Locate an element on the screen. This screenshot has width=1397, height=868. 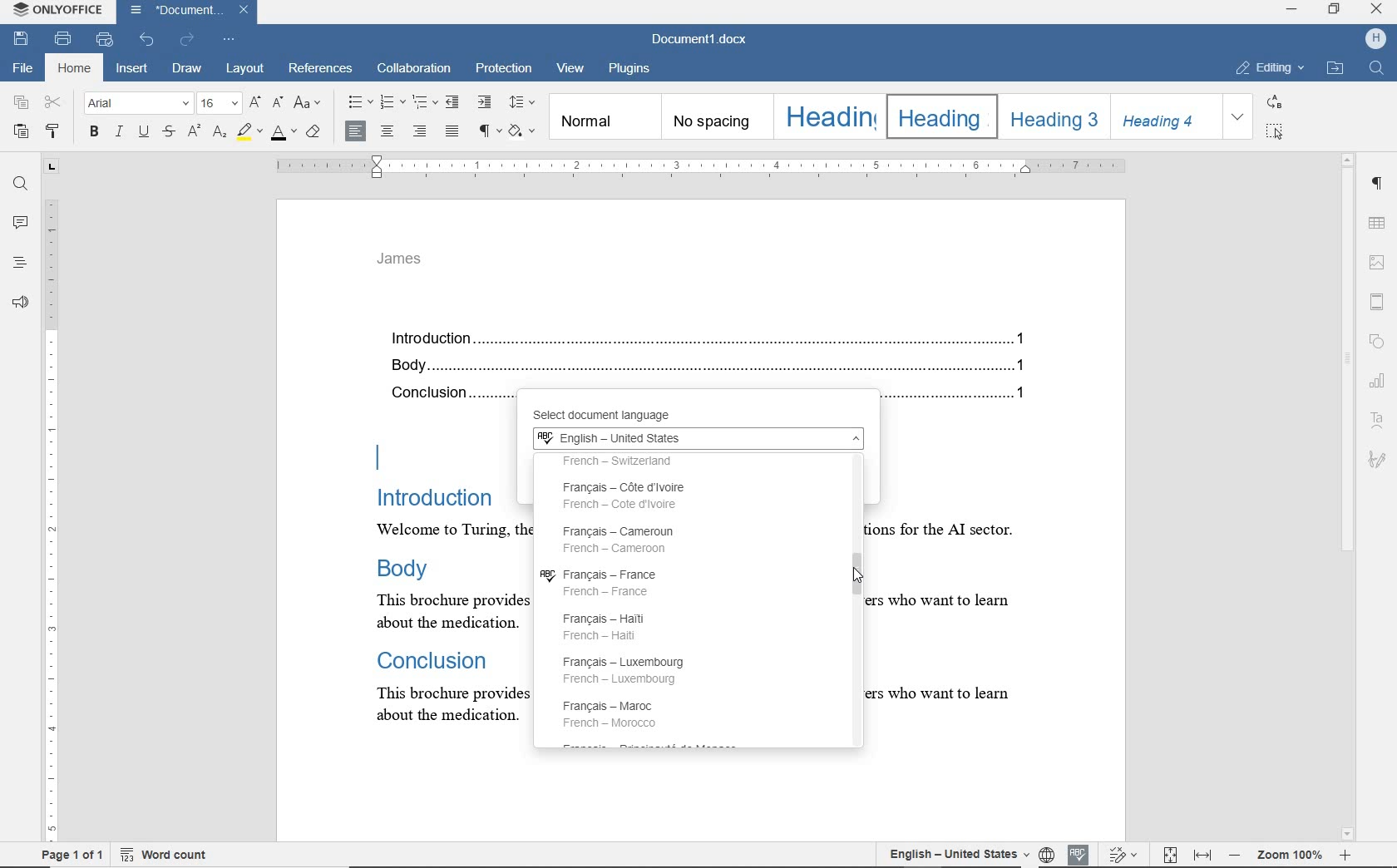
paragraph line spacing is located at coordinates (522, 102).